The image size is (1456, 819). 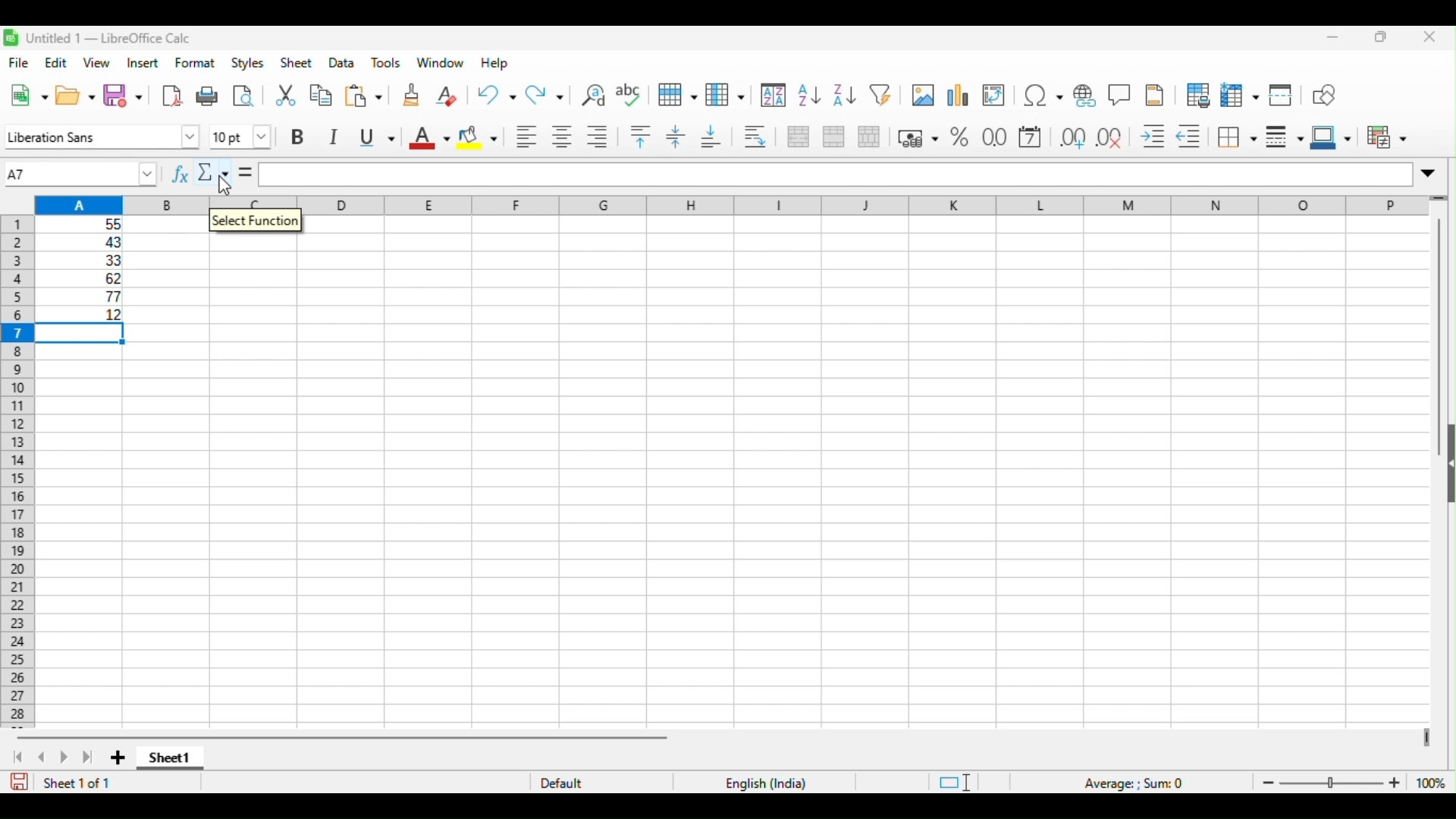 I want to click on style, so click(x=249, y=63).